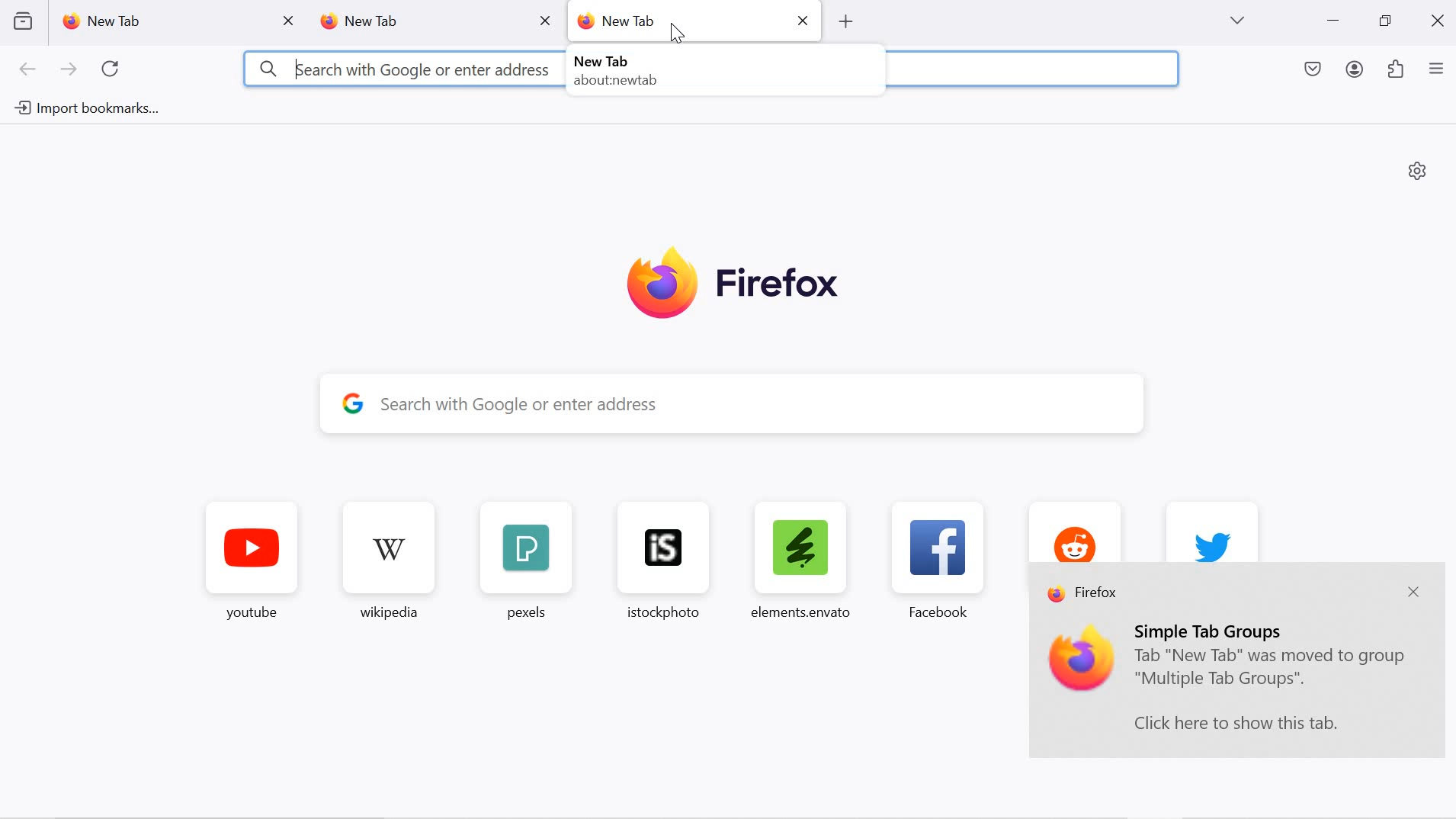 The height and width of the screenshot is (819, 1456). Describe the element at coordinates (746, 404) in the screenshot. I see `y Search with Google or enter address` at that location.